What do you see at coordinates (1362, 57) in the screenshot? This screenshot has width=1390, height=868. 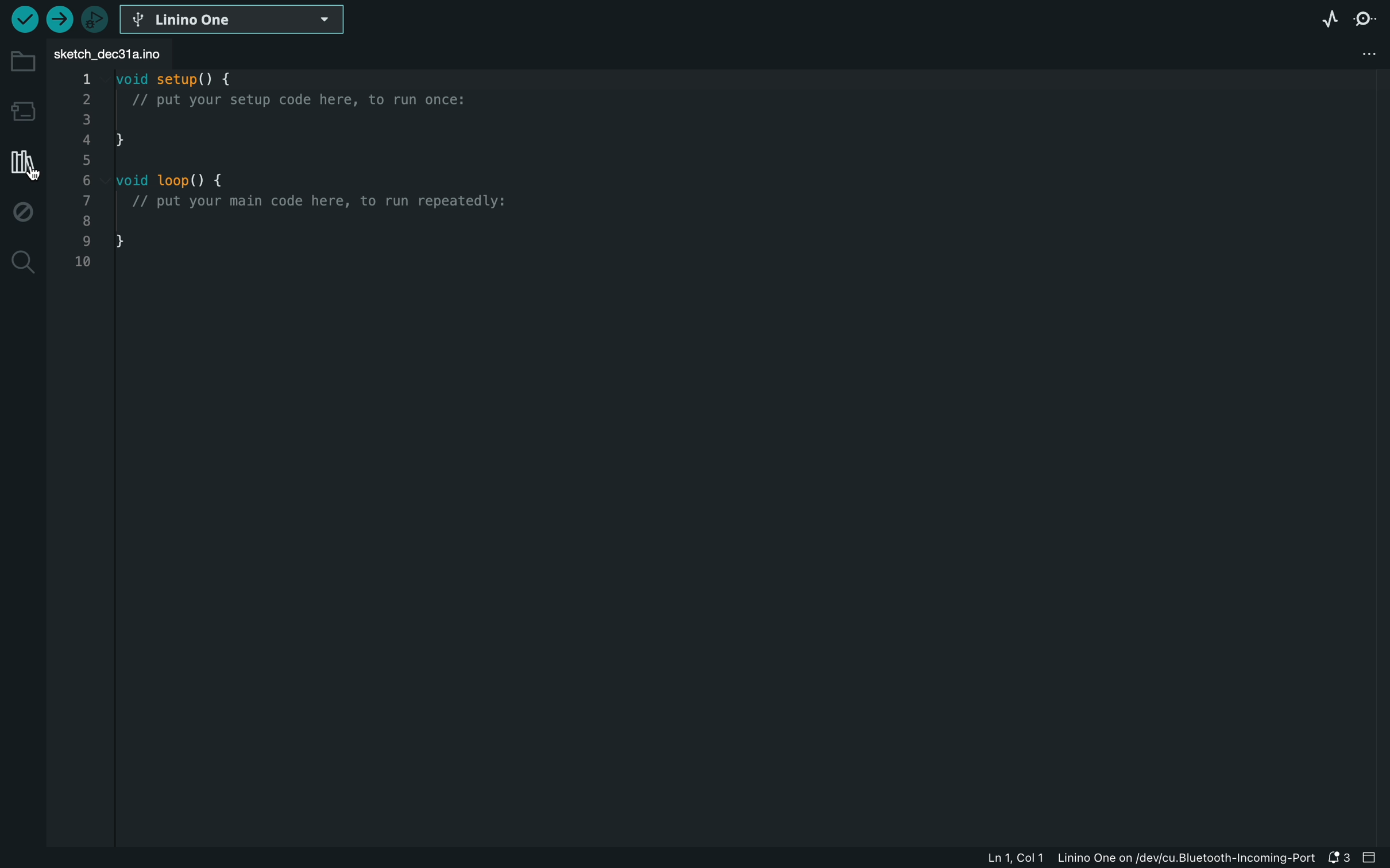 I see `file setting` at bounding box center [1362, 57].